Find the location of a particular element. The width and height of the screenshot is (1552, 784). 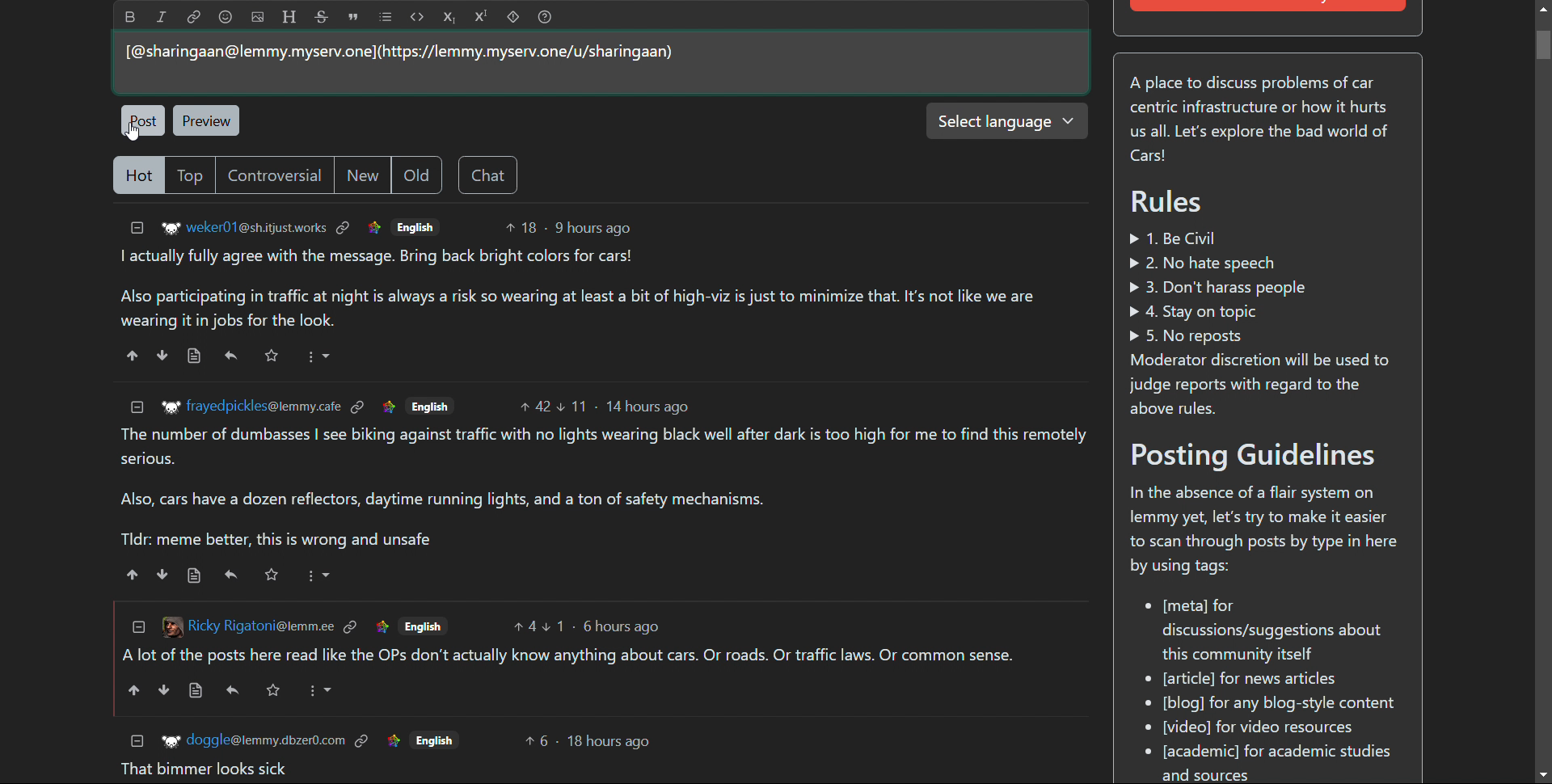

view source is located at coordinates (193, 356).